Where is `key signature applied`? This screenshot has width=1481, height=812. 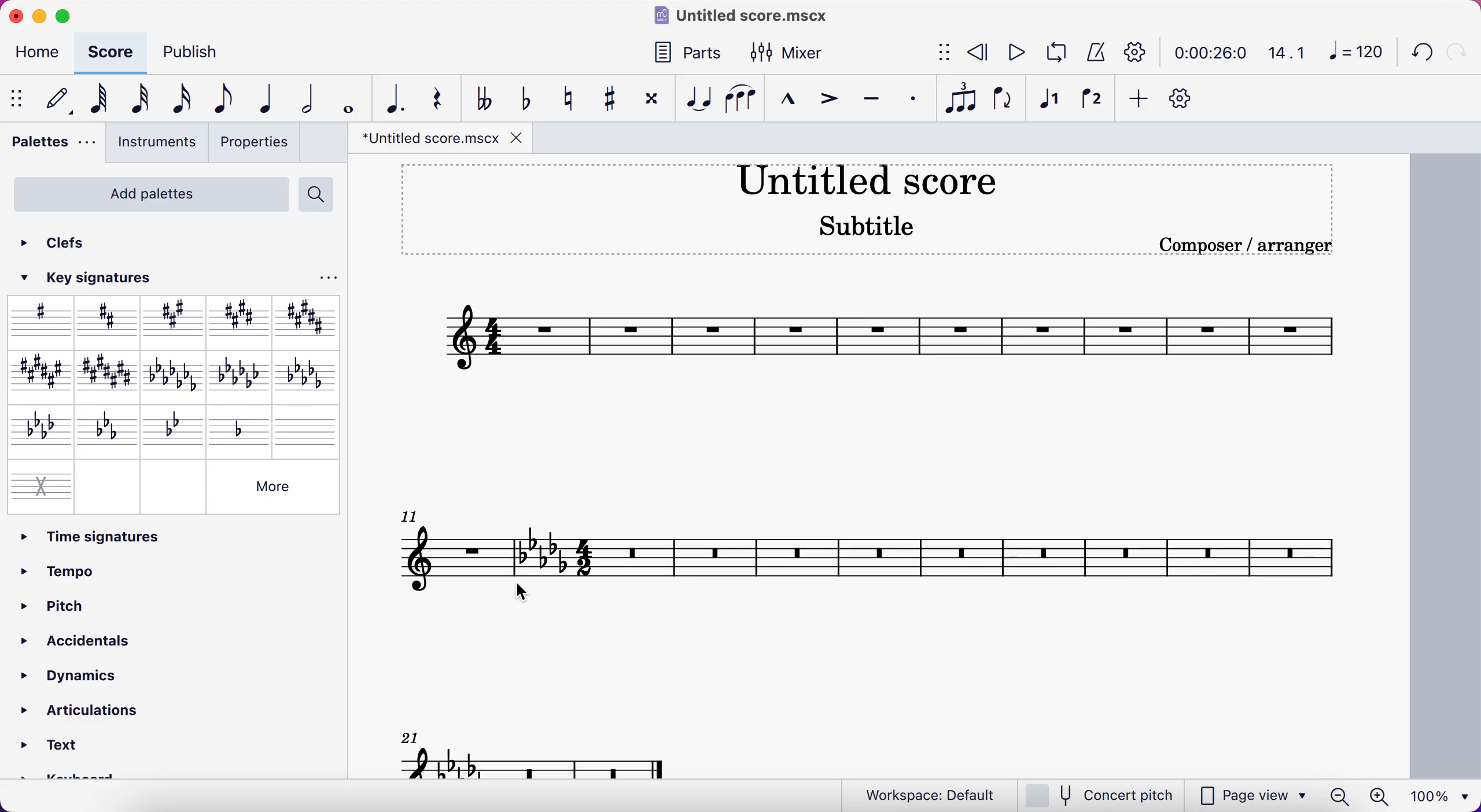 key signature applied is located at coordinates (541, 556).